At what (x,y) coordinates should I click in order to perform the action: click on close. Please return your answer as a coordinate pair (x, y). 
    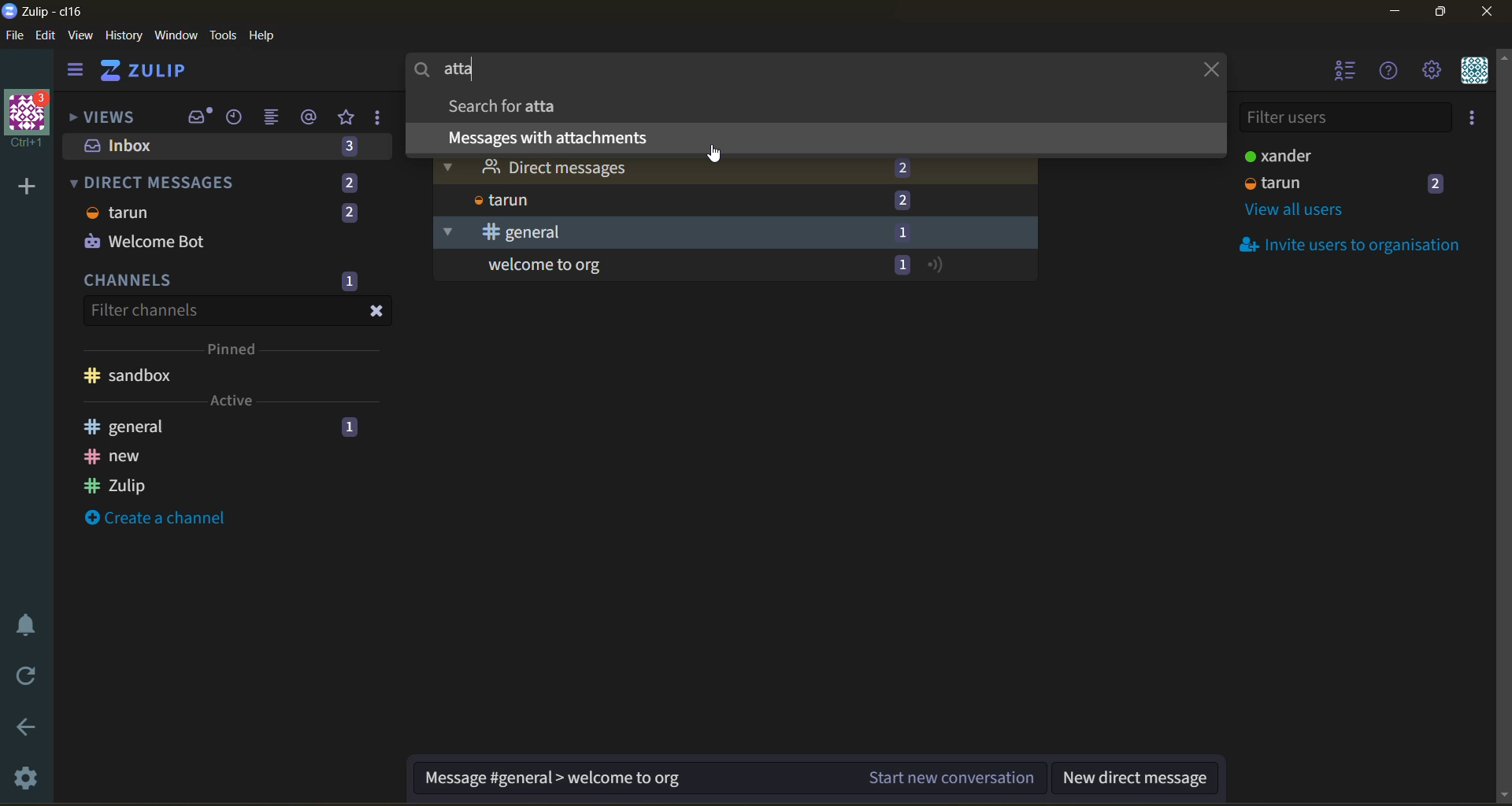
    Looking at the image, I should click on (1489, 12).